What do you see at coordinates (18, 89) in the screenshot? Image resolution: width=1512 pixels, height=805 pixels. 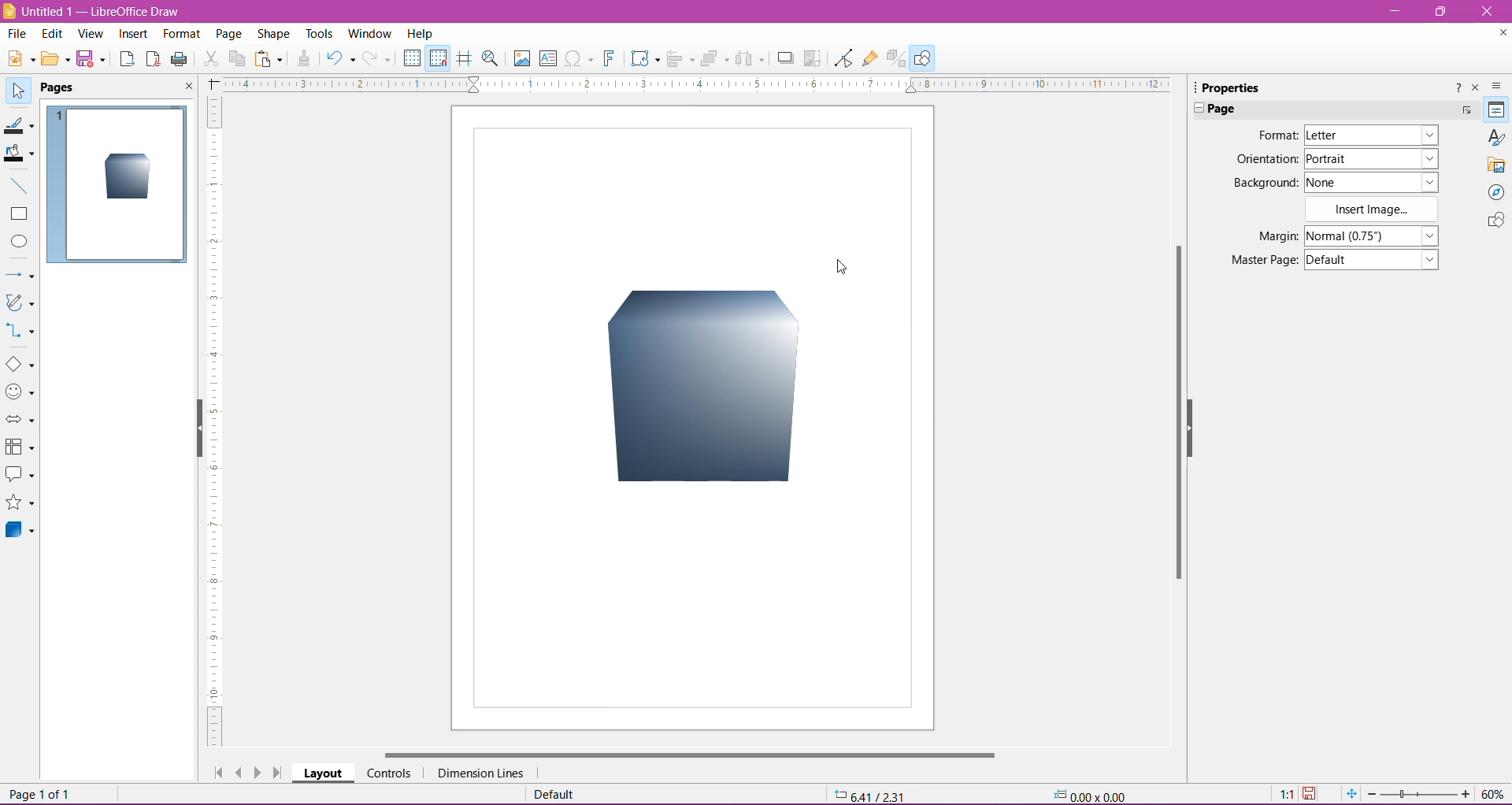 I see `Select Item` at bounding box center [18, 89].